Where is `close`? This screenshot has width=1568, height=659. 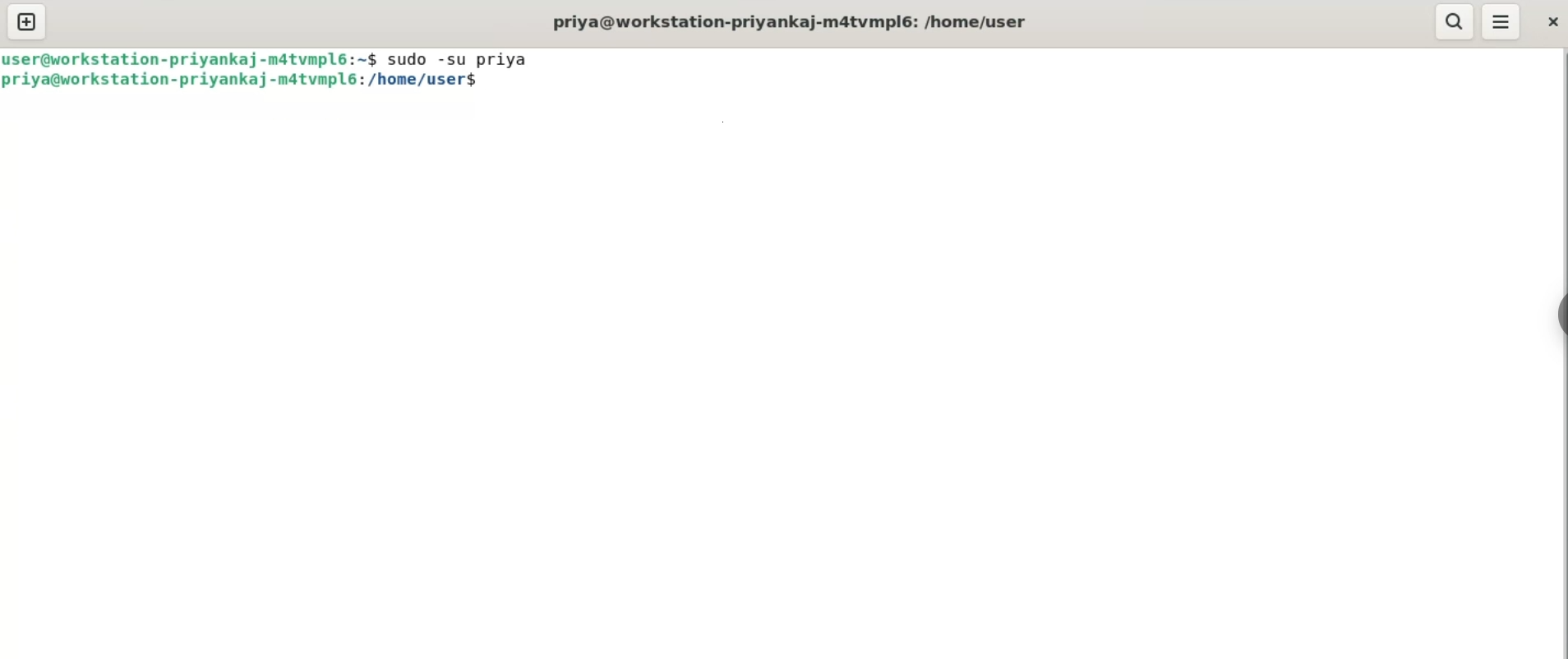
close is located at coordinates (1553, 24).